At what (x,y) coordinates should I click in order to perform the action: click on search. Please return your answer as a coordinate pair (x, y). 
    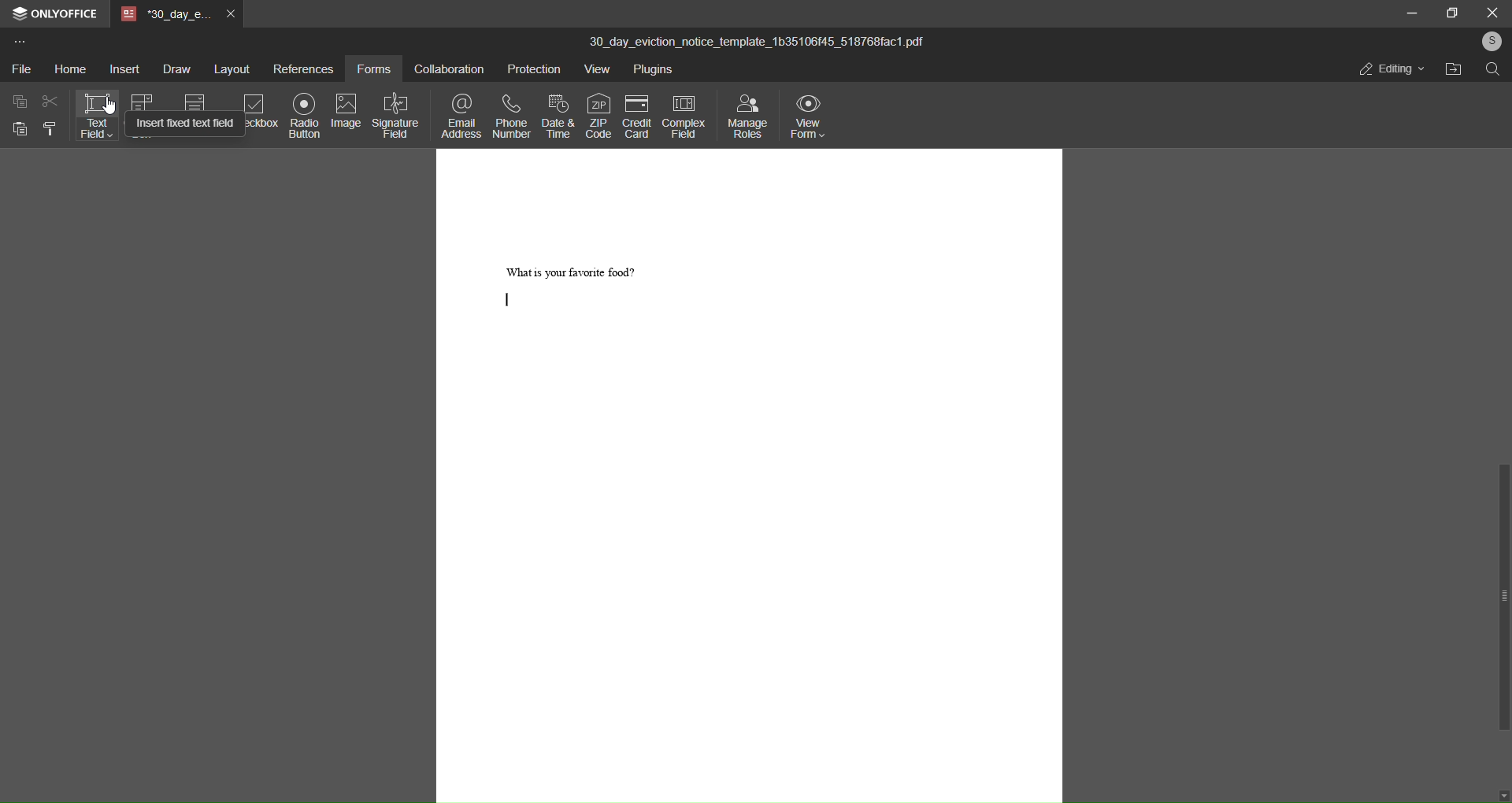
    Looking at the image, I should click on (1493, 70).